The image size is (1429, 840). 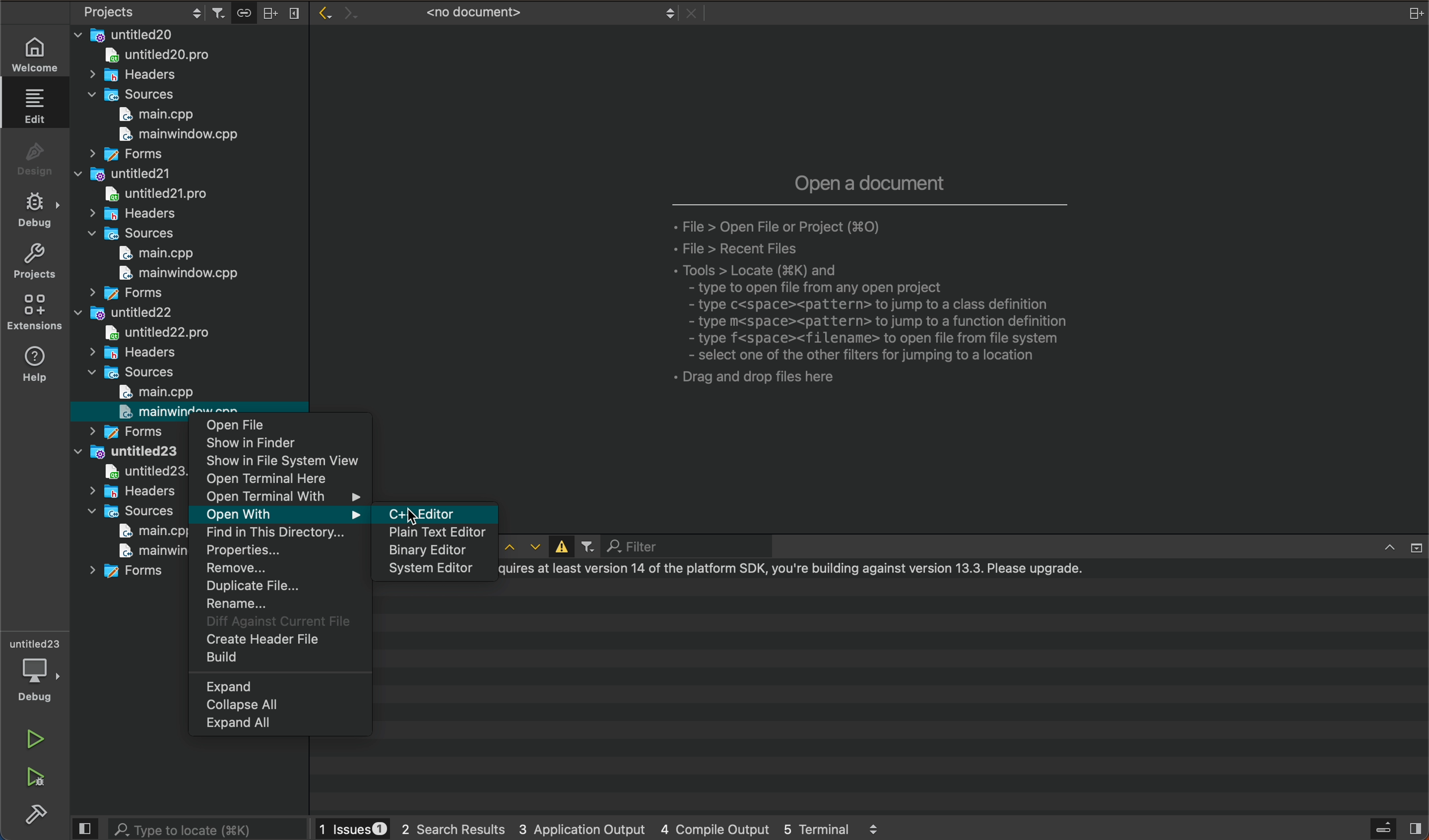 What do you see at coordinates (137, 75) in the screenshot?
I see `headers` at bounding box center [137, 75].